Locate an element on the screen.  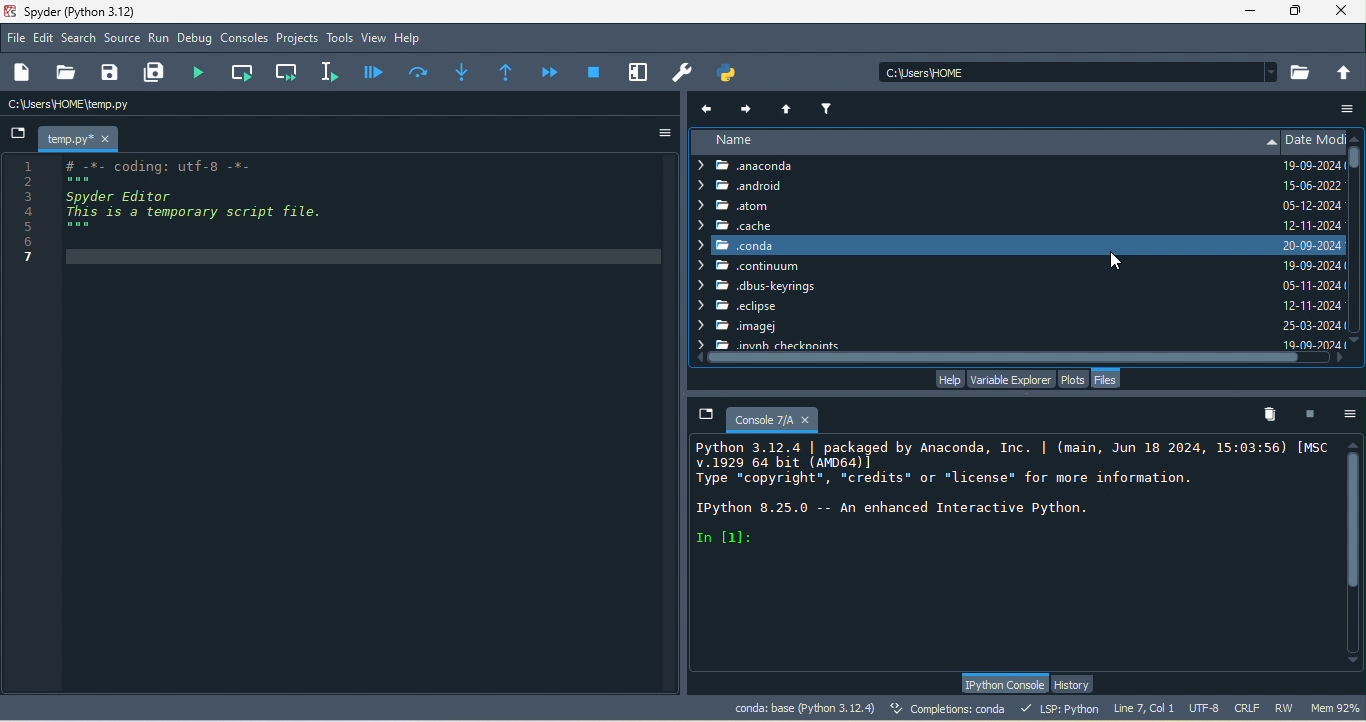
cursor movement is located at coordinates (1115, 259).